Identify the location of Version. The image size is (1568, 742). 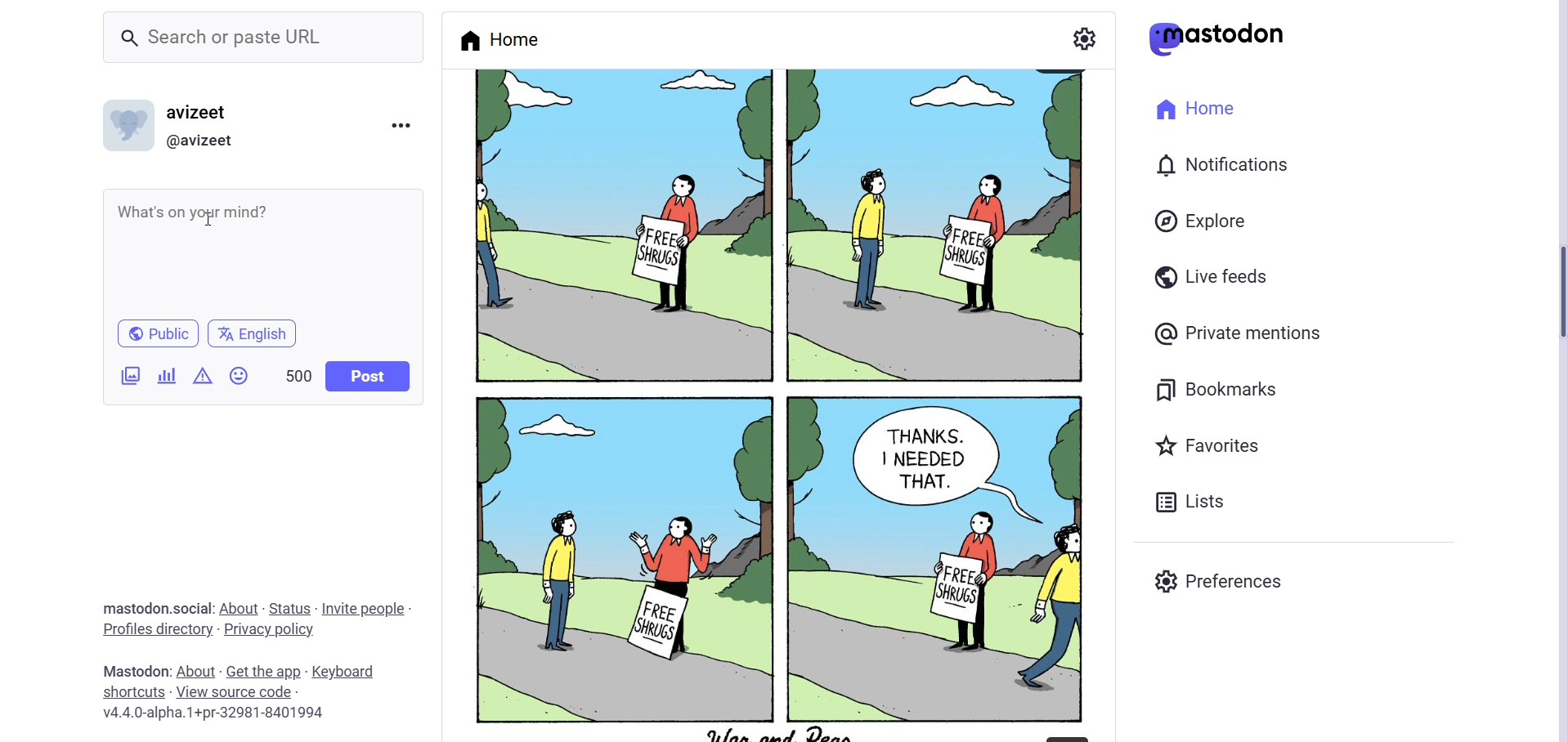
(213, 714).